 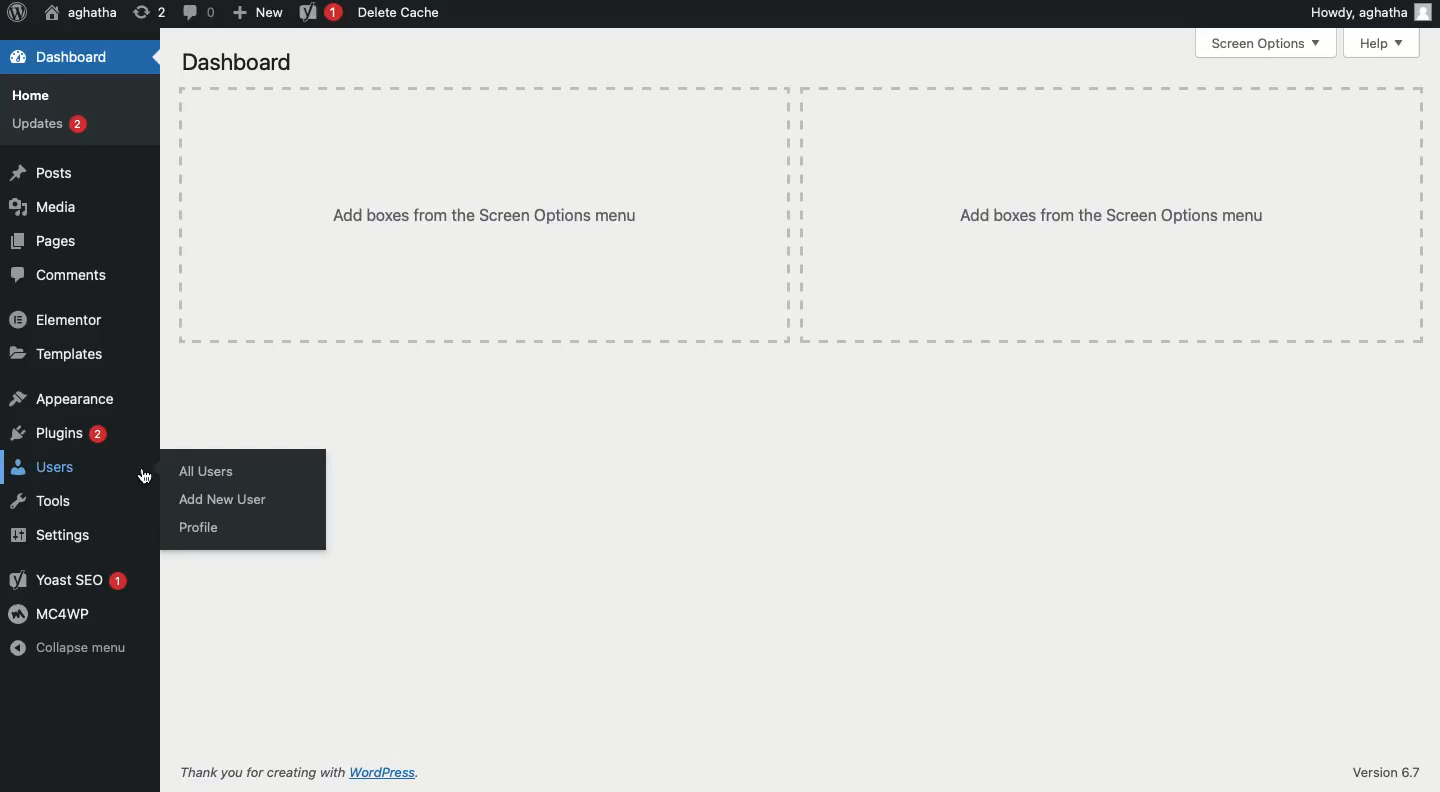 I want to click on Thank you for creating with WordPress, so click(x=301, y=774).